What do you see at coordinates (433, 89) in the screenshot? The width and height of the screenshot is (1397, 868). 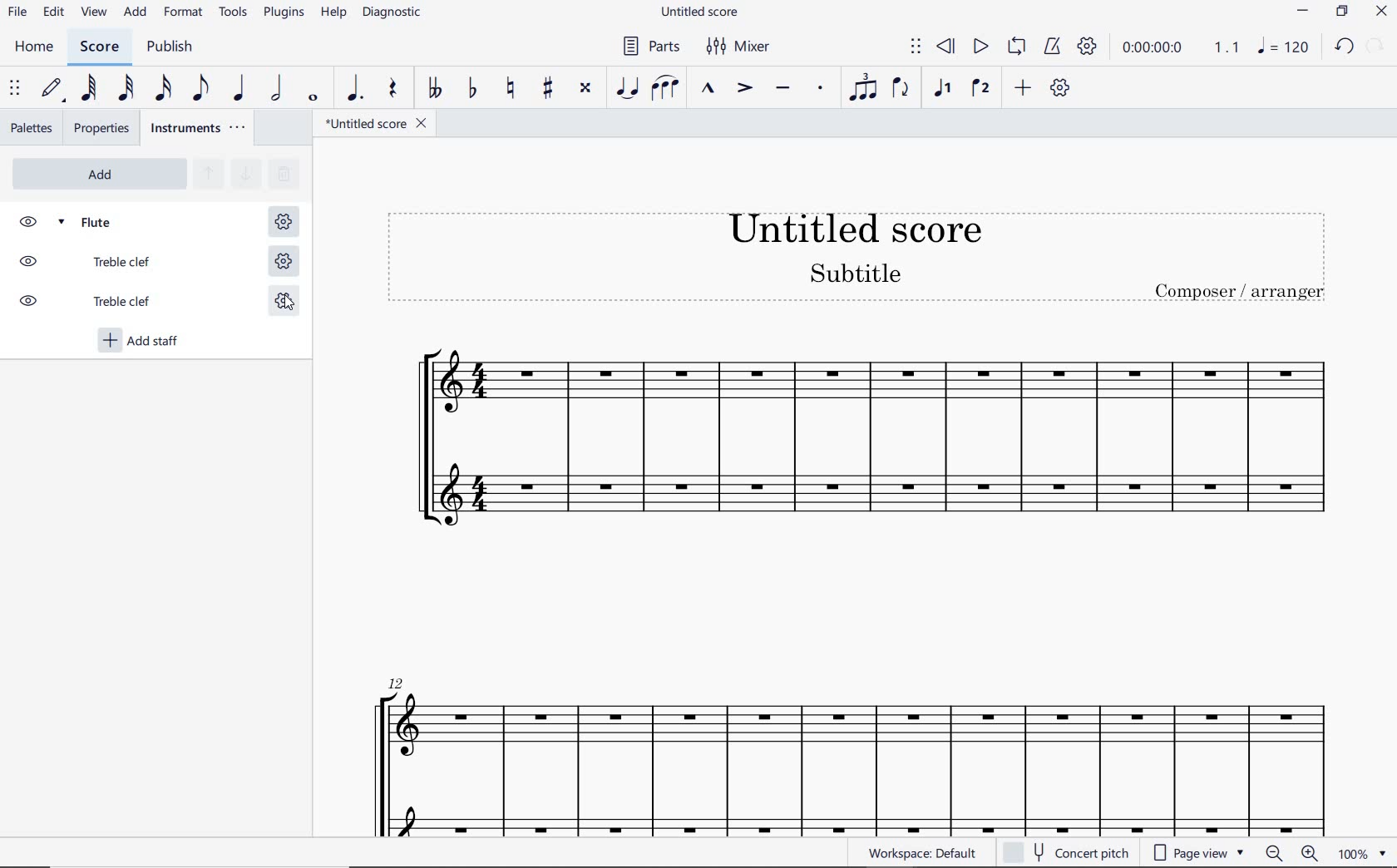 I see `TOGGLE DOUBLE-FLAT` at bounding box center [433, 89].